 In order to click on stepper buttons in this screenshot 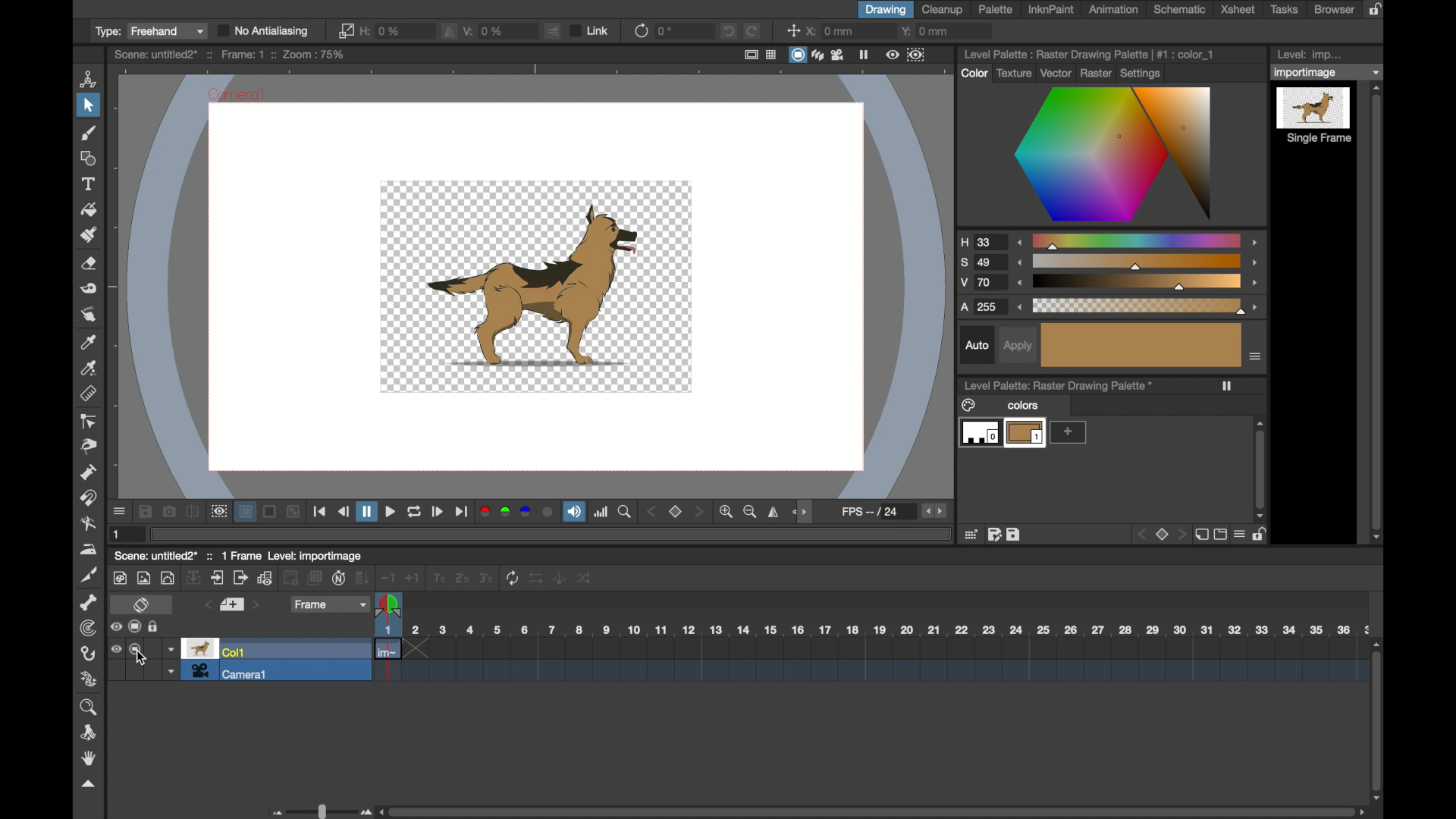, I will do `click(934, 510)`.